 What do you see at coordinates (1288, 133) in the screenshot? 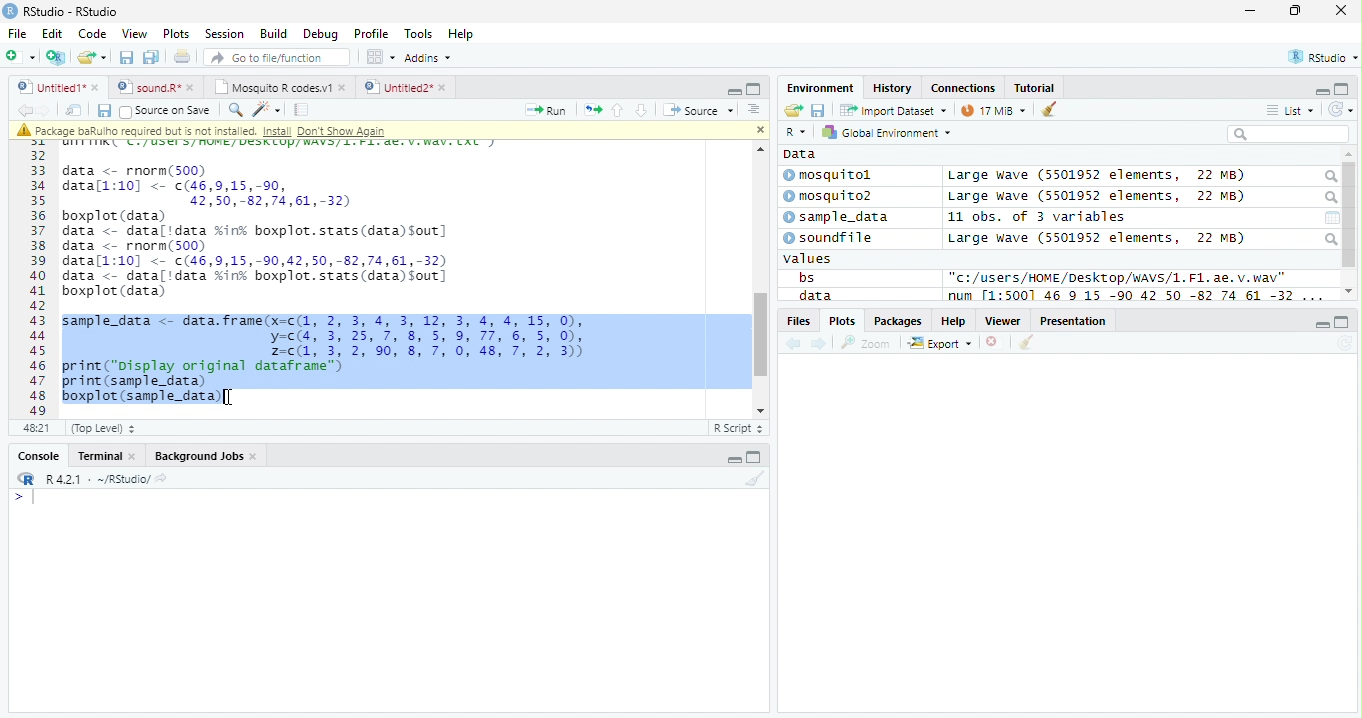
I see `search bar` at bounding box center [1288, 133].